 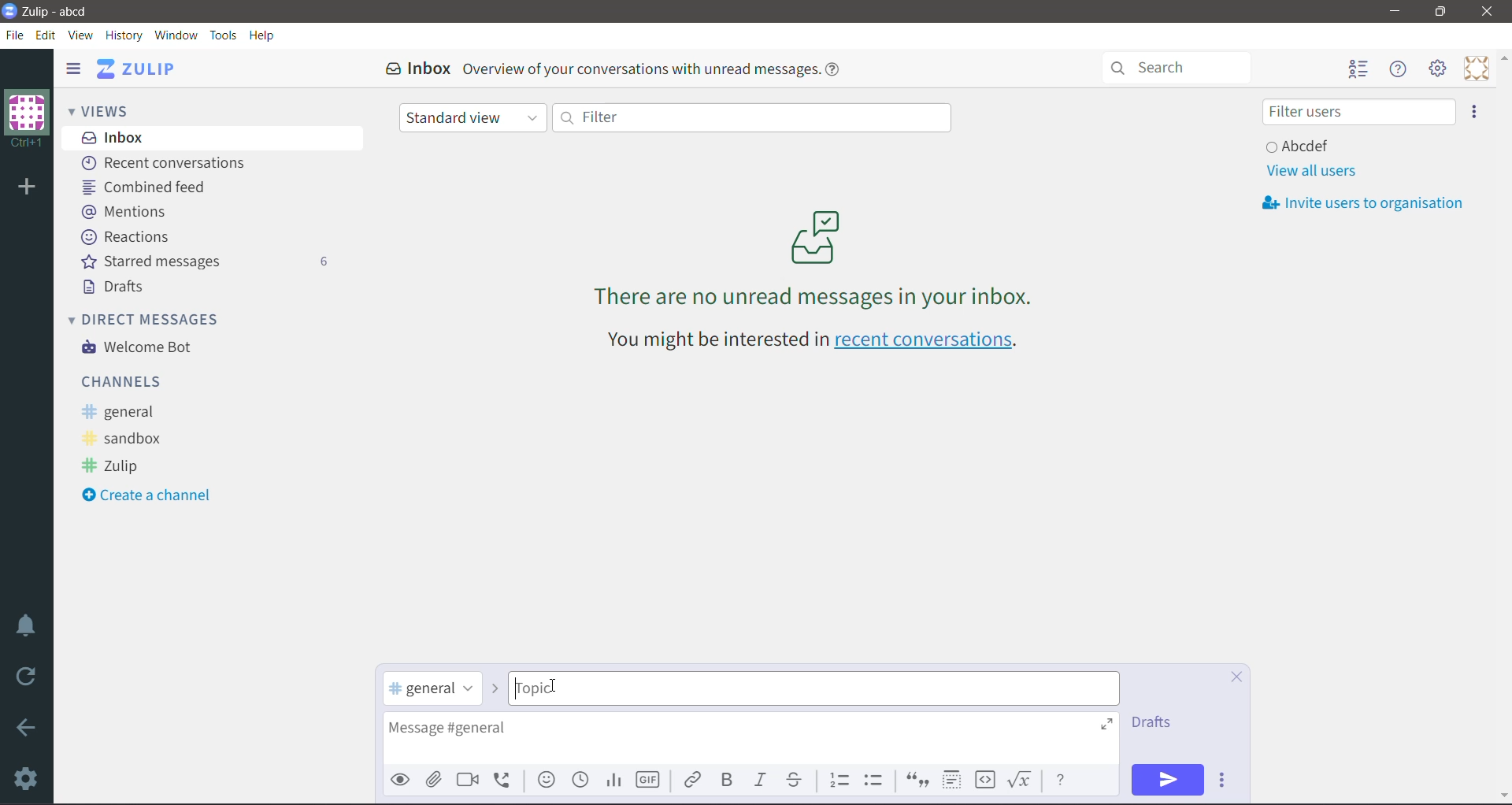 I want to click on History, so click(x=125, y=36).